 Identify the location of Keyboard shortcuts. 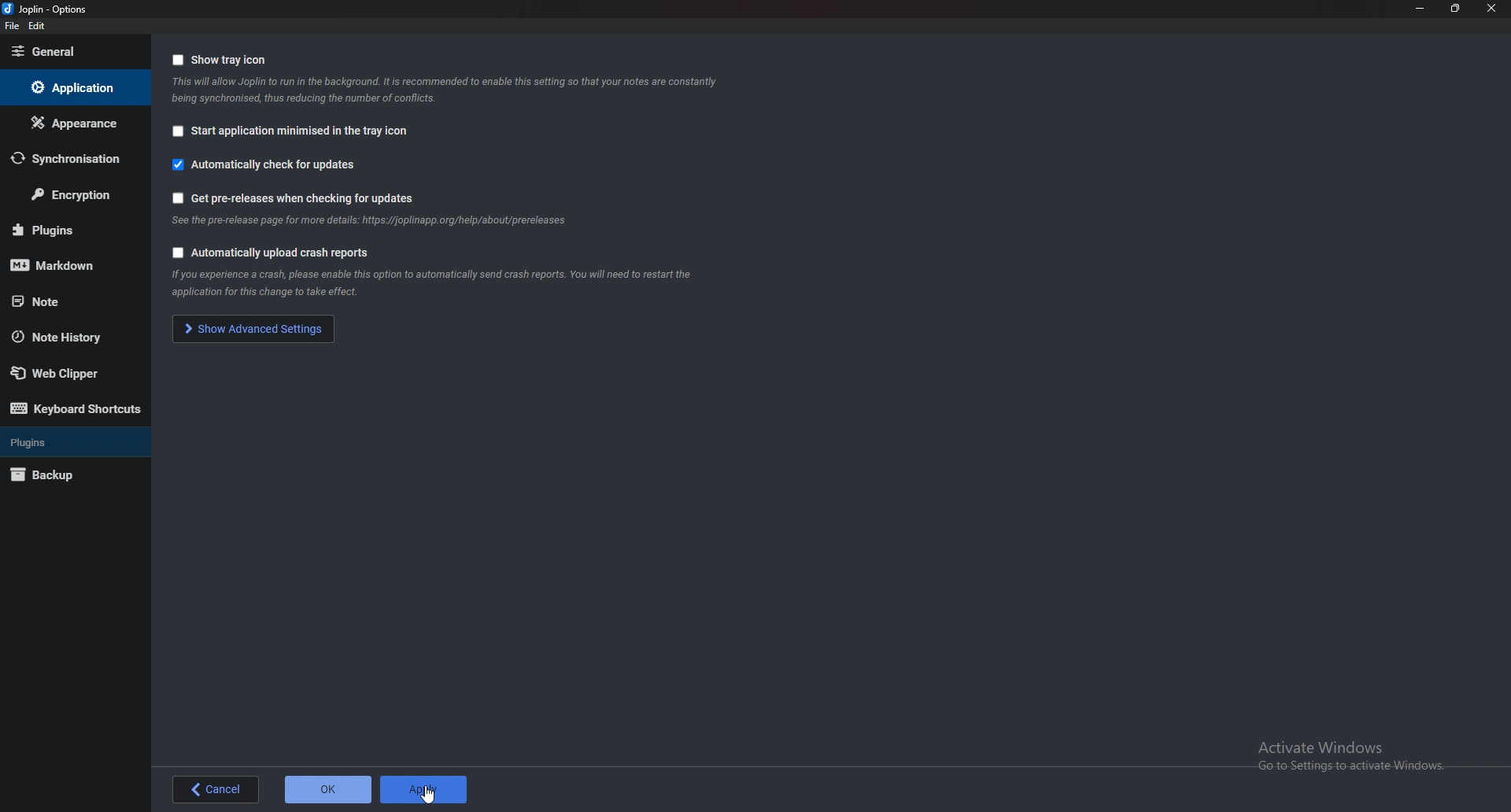
(75, 411).